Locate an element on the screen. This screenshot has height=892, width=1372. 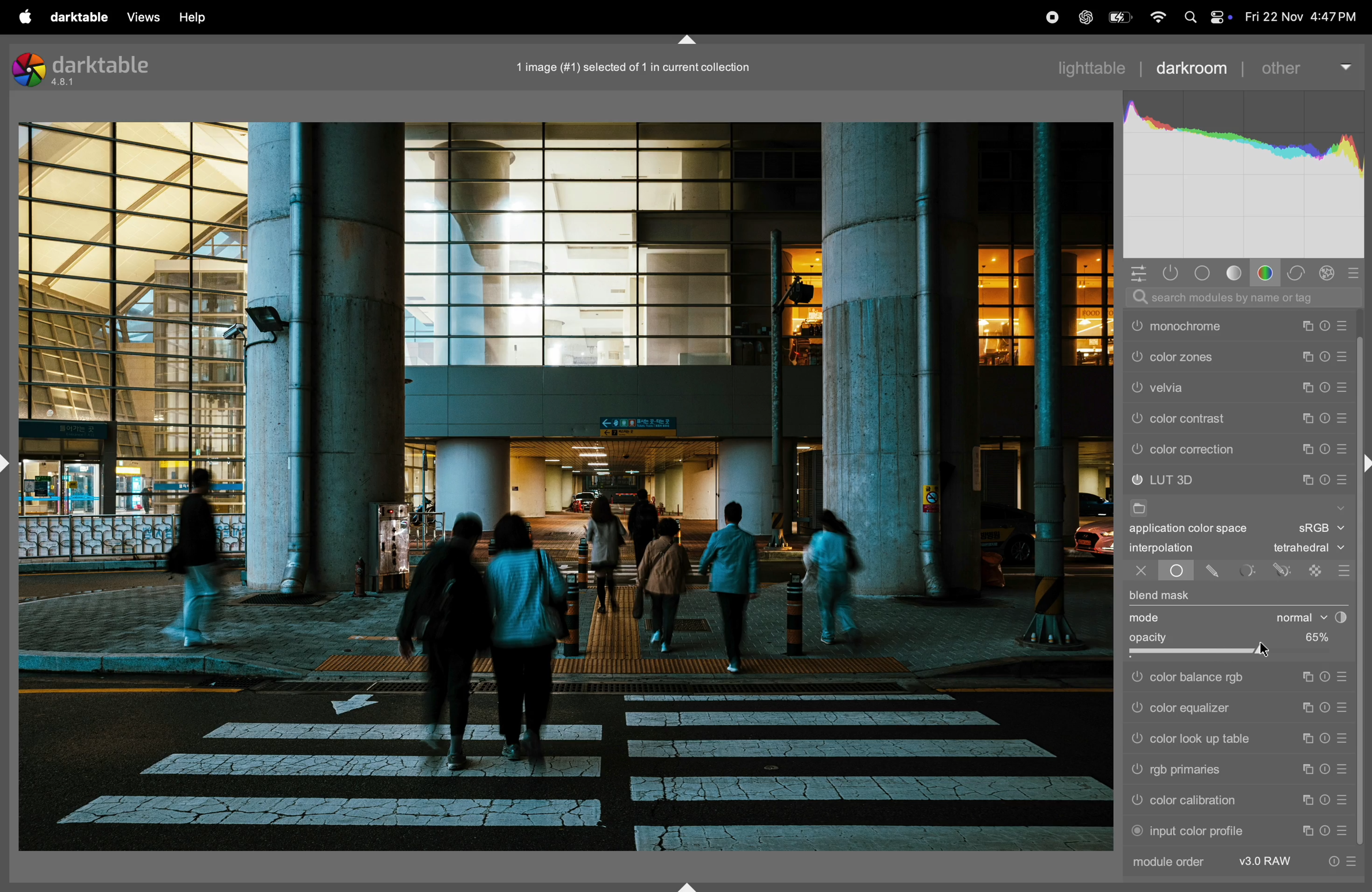
presets is located at coordinates (1345, 354).